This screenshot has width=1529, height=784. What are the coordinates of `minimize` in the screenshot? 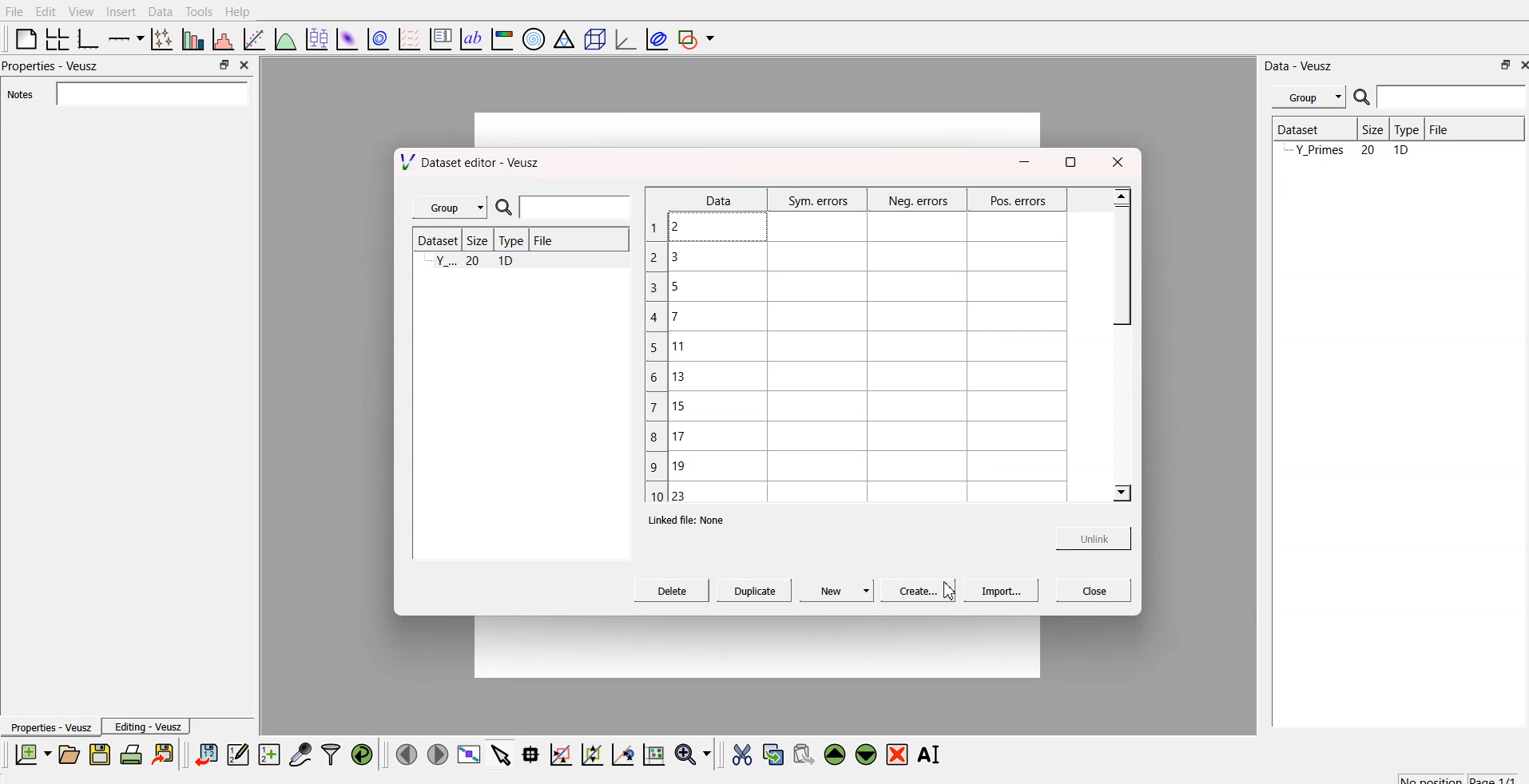 It's located at (1022, 162).